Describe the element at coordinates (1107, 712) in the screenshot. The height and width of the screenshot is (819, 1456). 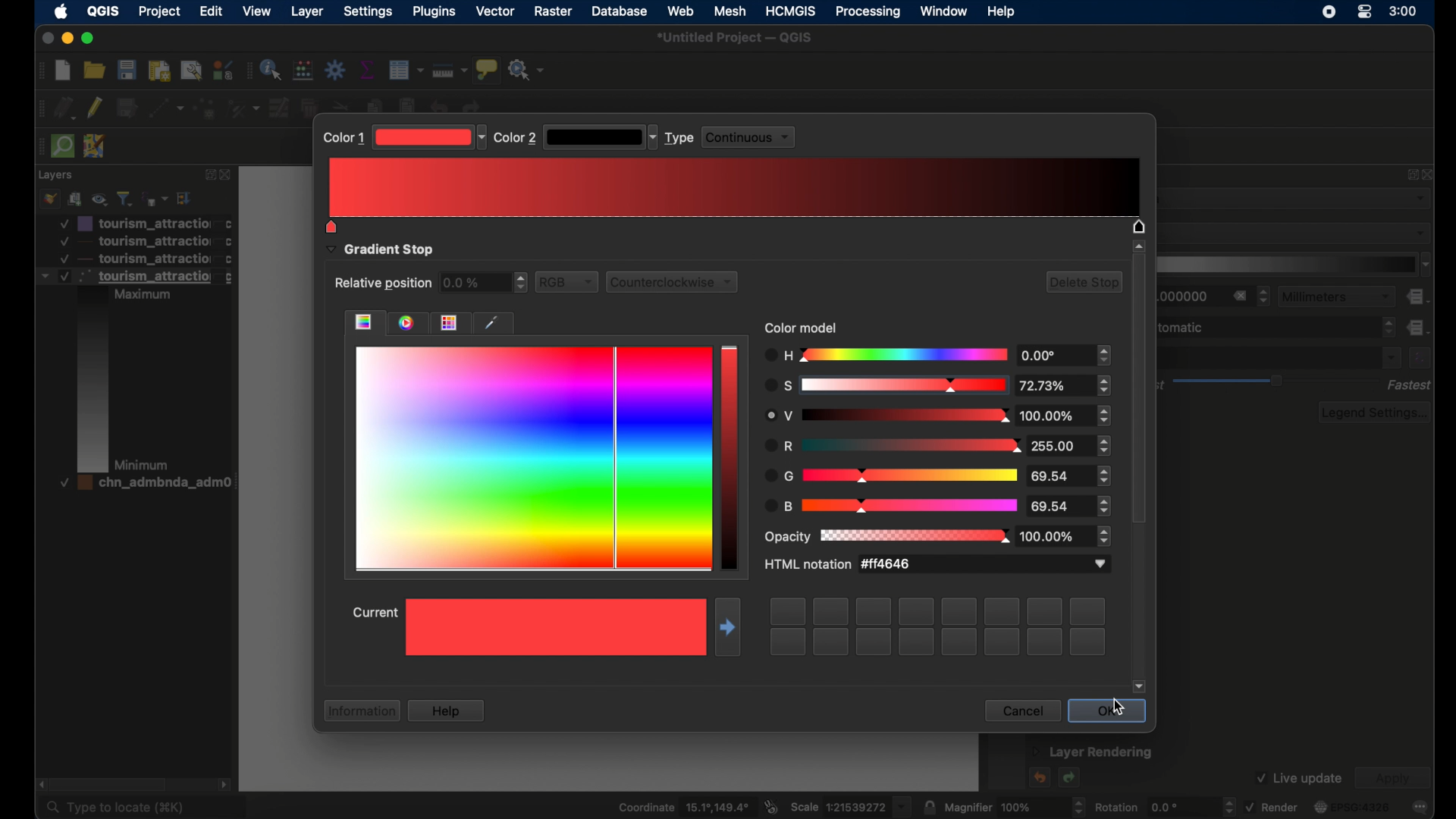
I see `ok` at that location.